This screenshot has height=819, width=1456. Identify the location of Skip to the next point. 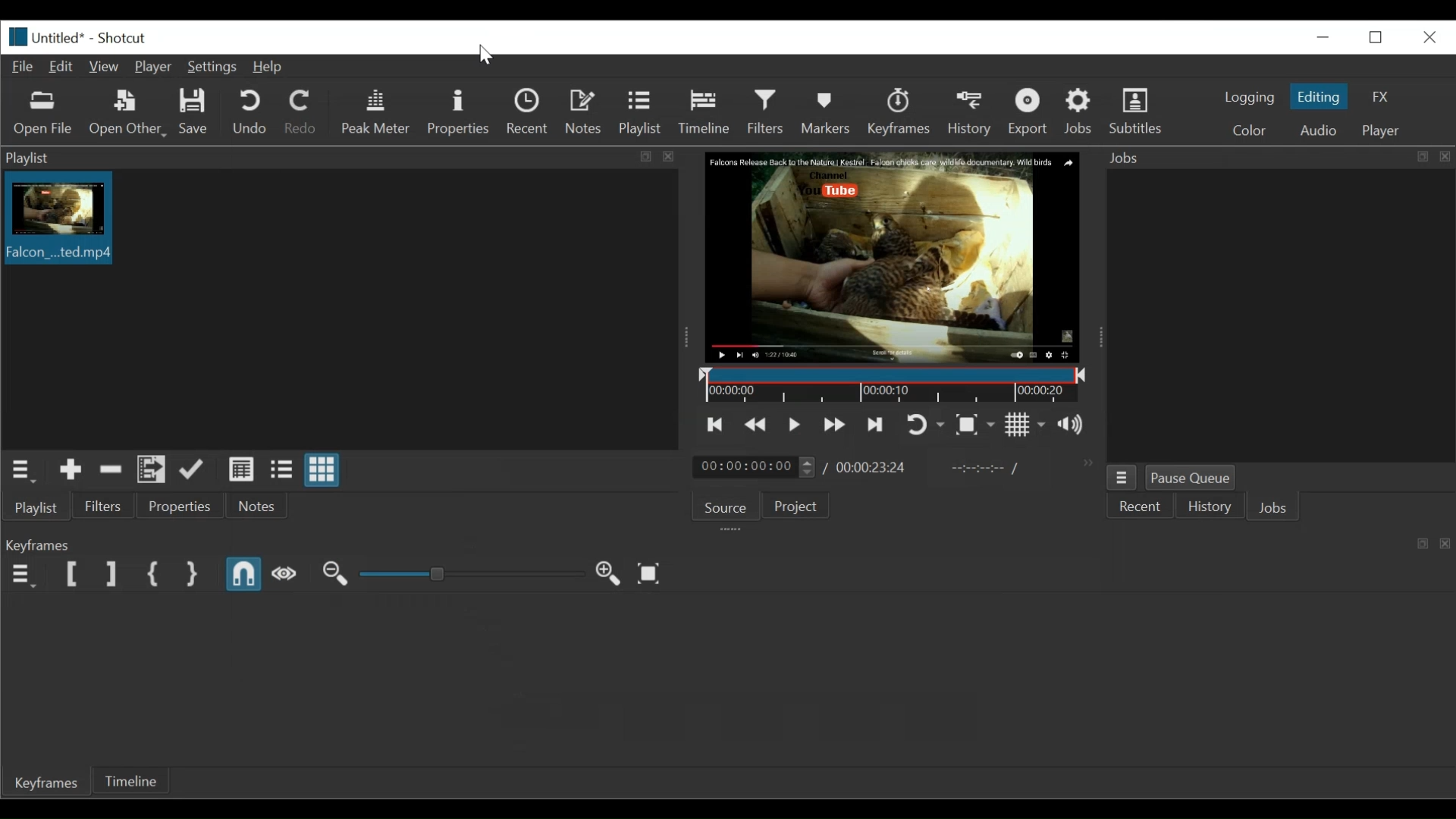
(875, 426).